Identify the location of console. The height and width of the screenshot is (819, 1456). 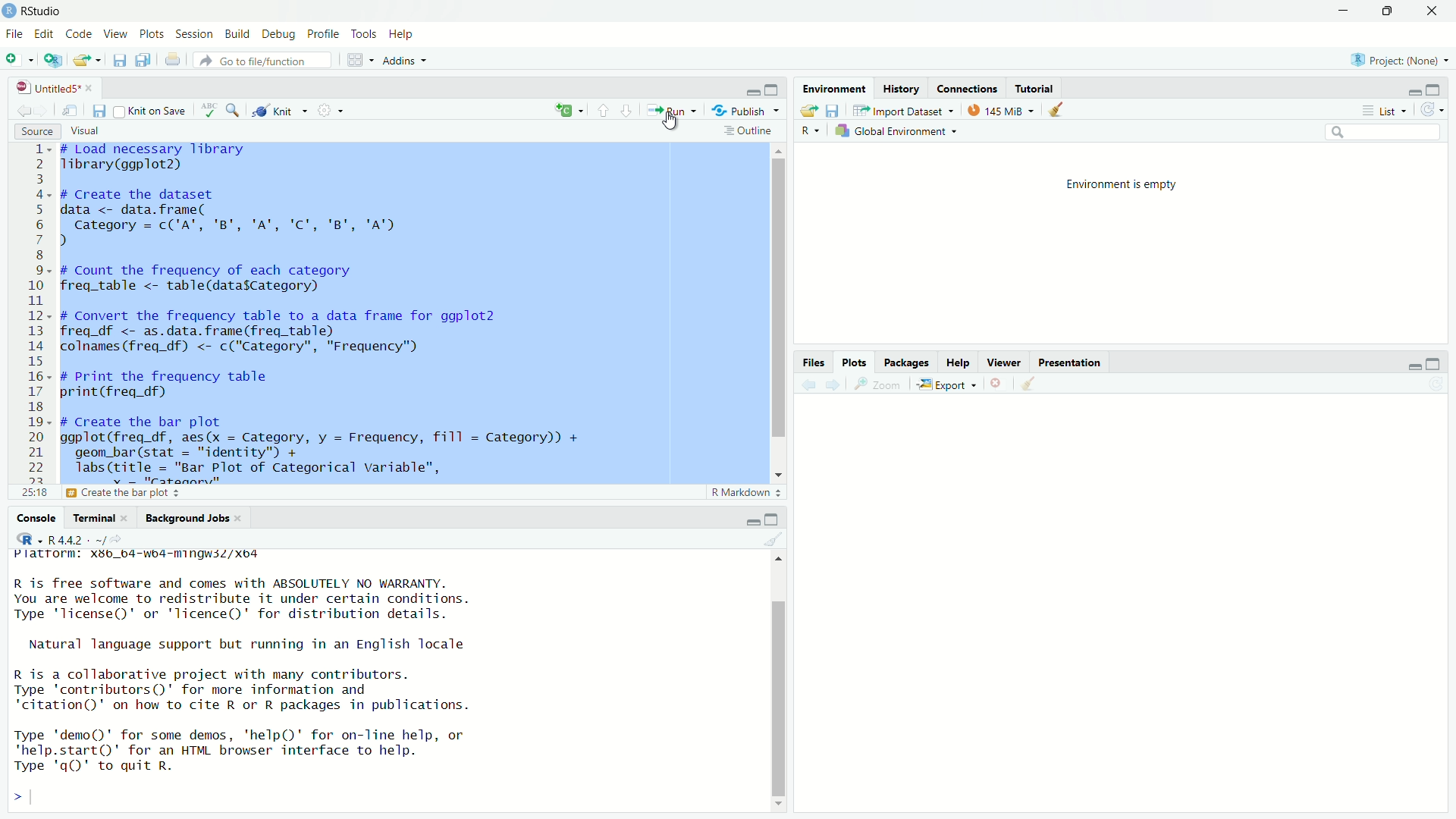
(30, 519).